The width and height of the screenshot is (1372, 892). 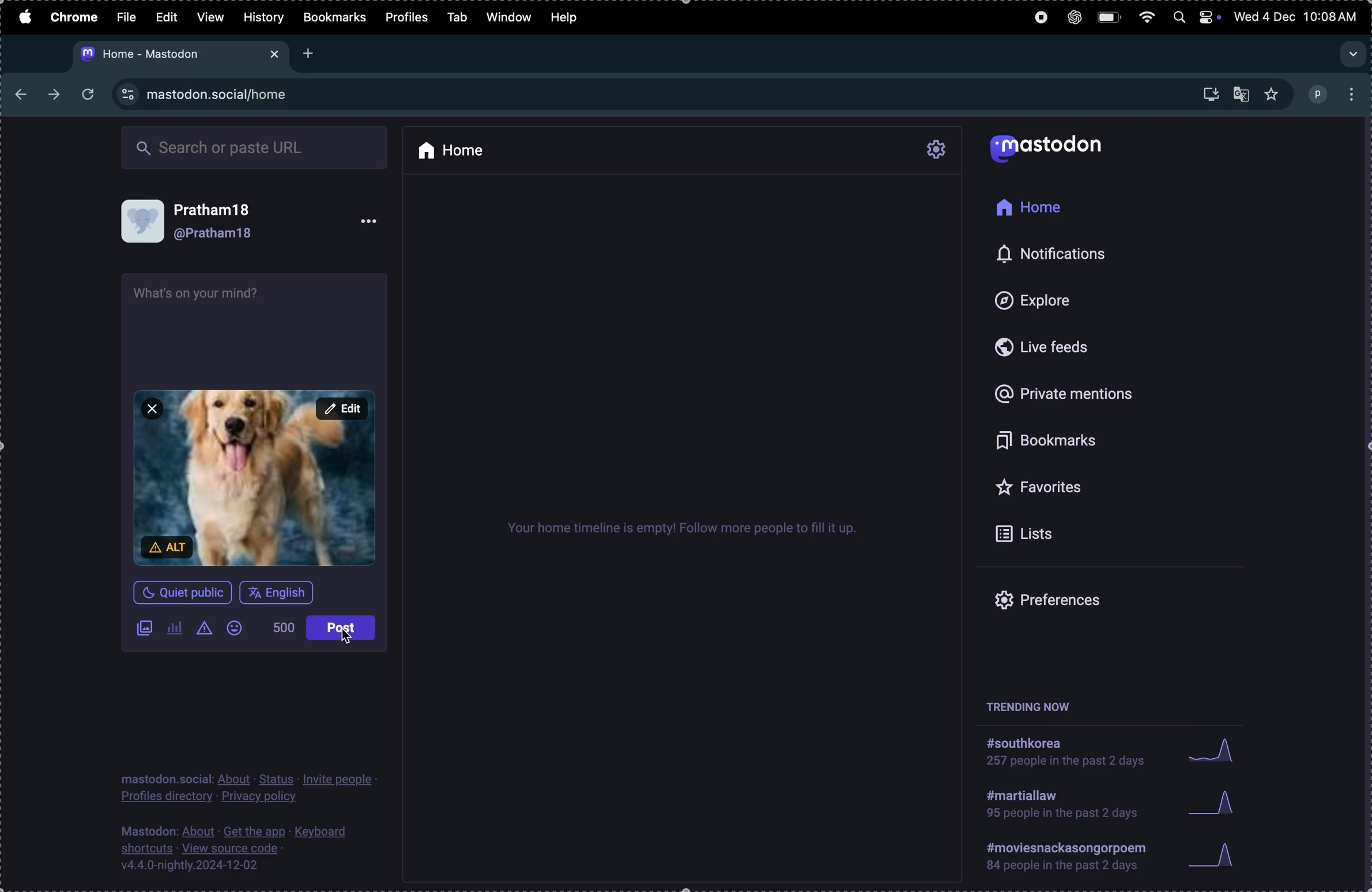 I want to click on Private mentions, so click(x=1081, y=390).